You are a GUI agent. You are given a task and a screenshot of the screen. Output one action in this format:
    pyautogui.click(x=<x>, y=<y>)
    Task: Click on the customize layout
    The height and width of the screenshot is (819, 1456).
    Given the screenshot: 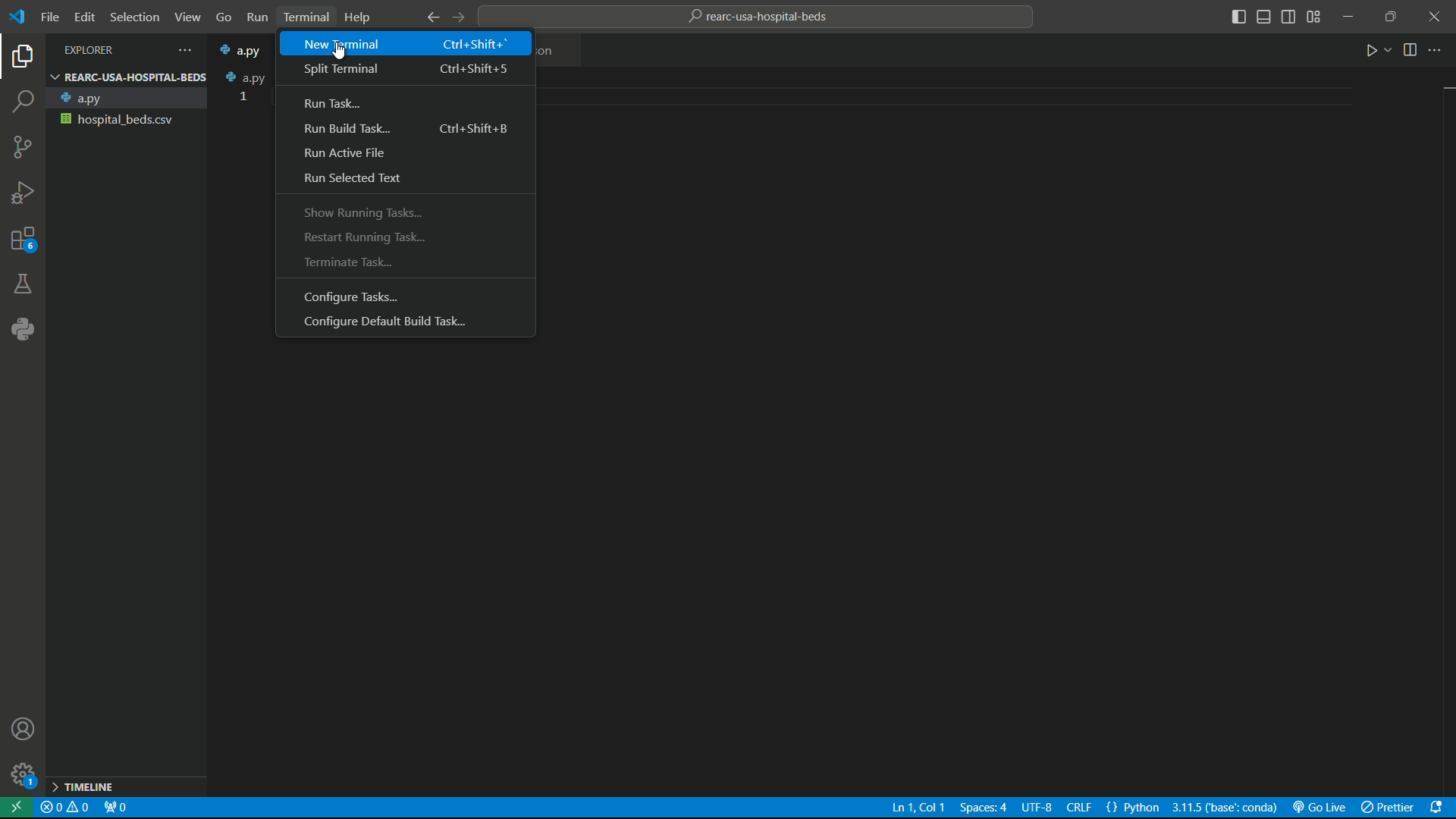 What is the action you would take?
    pyautogui.click(x=1317, y=17)
    